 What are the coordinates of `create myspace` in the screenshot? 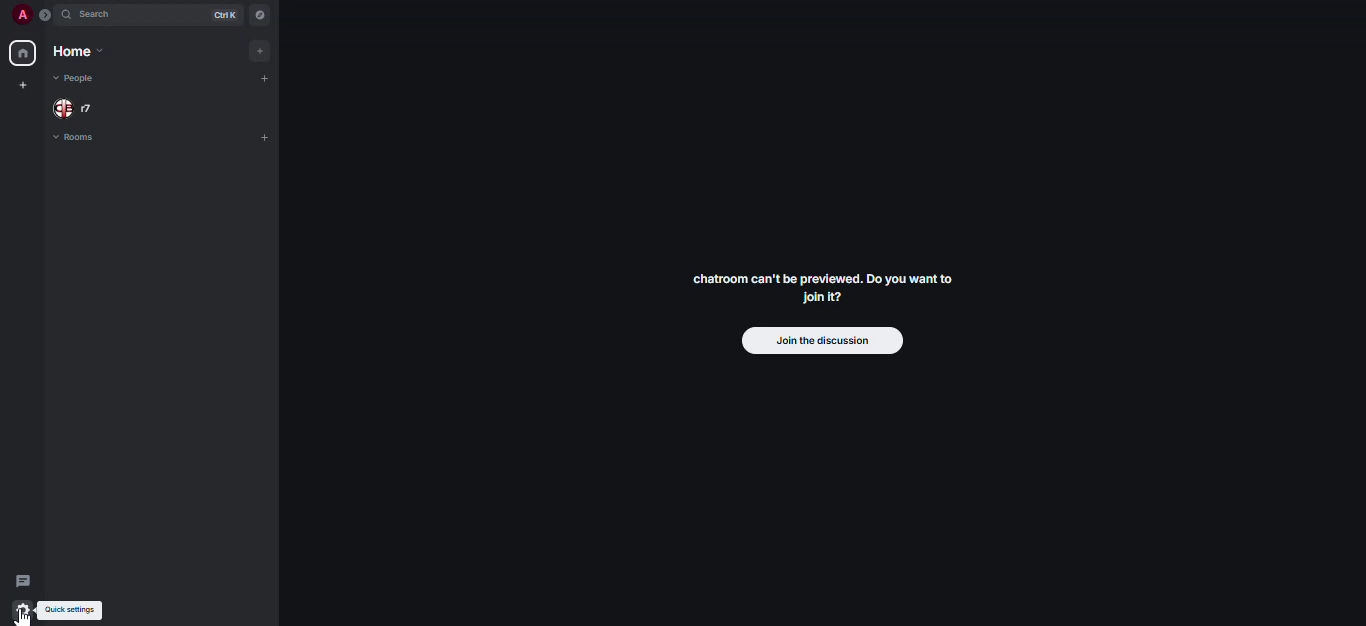 It's located at (25, 85).